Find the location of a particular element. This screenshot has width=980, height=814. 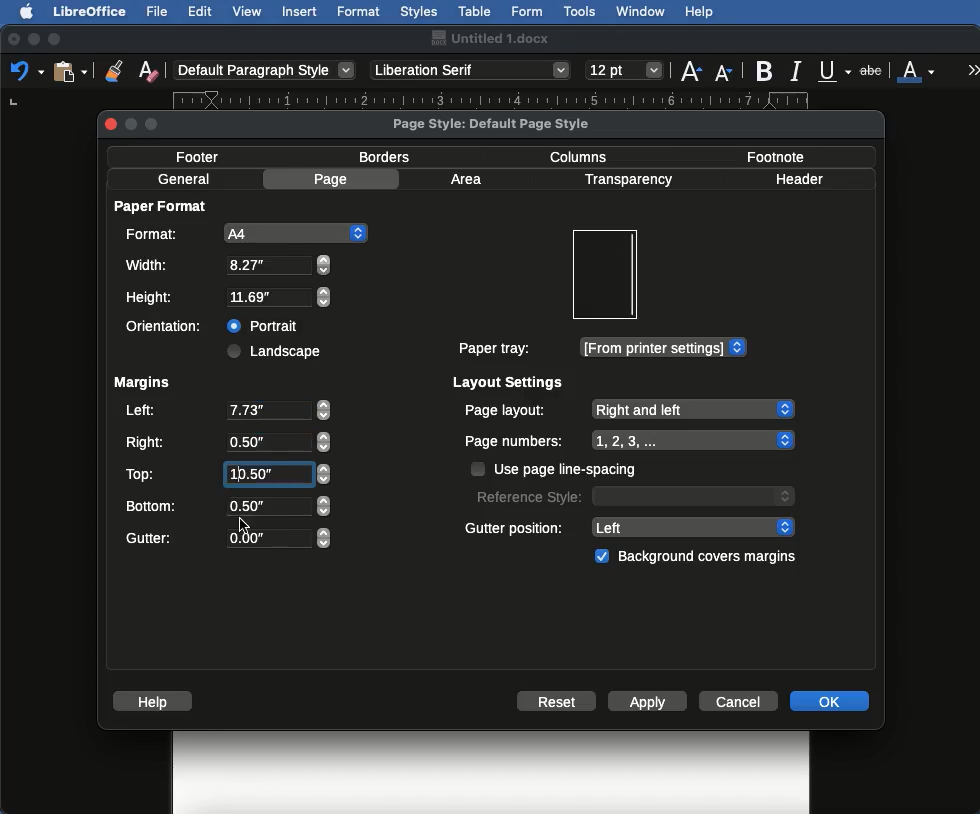

Insert is located at coordinates (300, 11).